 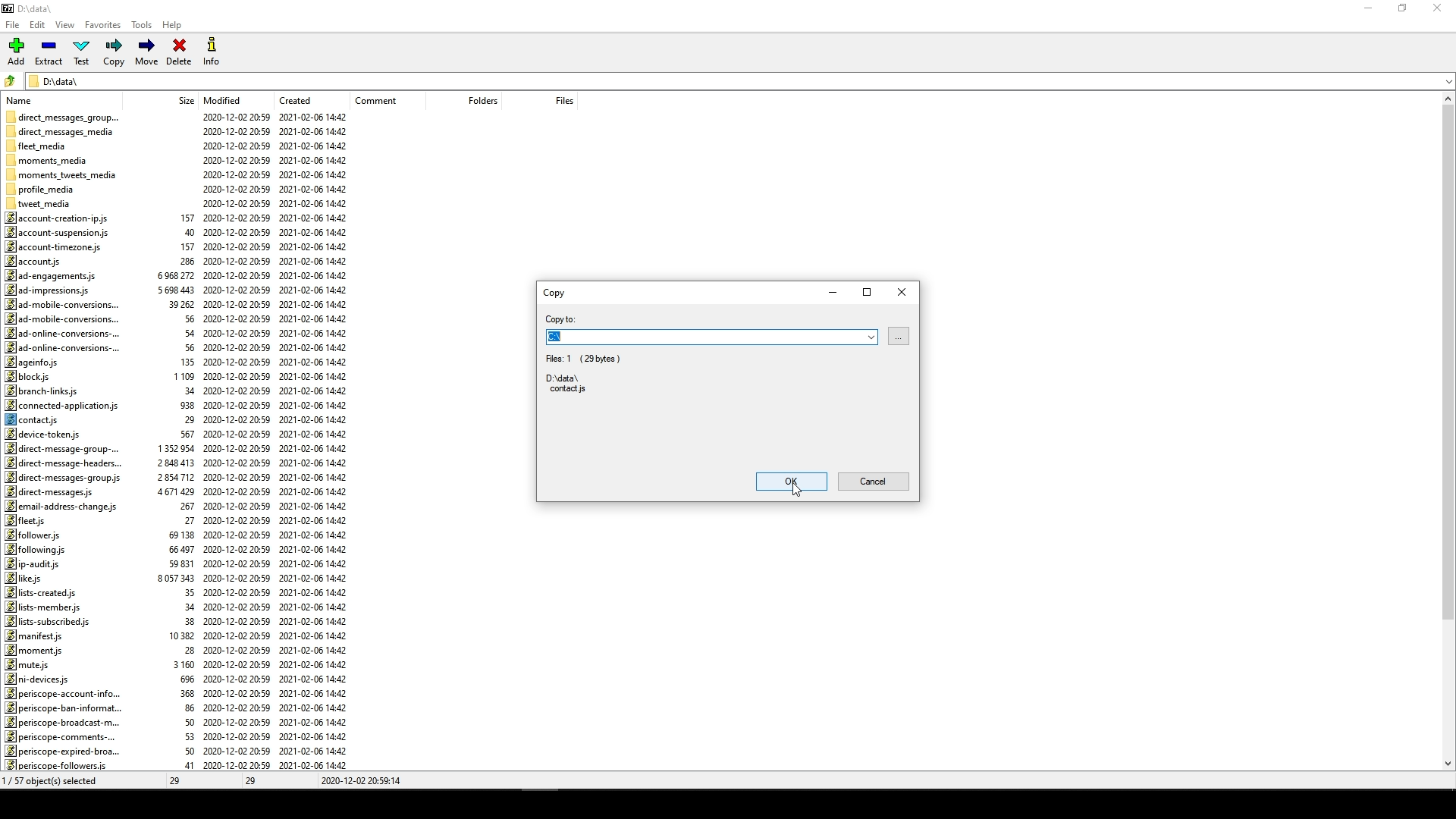 What do you see at coordinates (1443, 434) in the screenshot?
I see `scroll` at bounding box center [1443, 434].